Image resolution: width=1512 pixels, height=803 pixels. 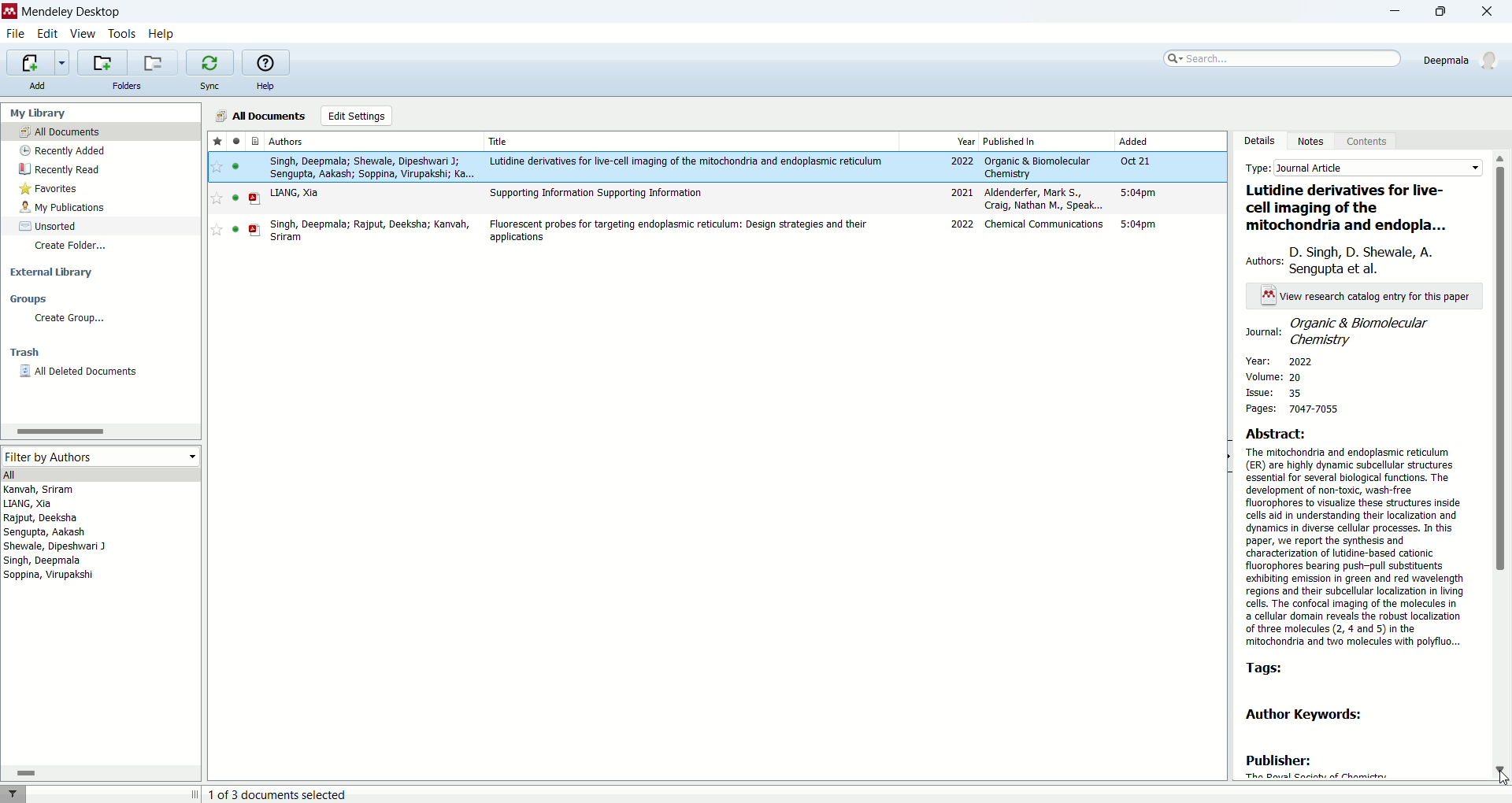 I want to click on LIANG, Xia, so click(x=295, y=193).